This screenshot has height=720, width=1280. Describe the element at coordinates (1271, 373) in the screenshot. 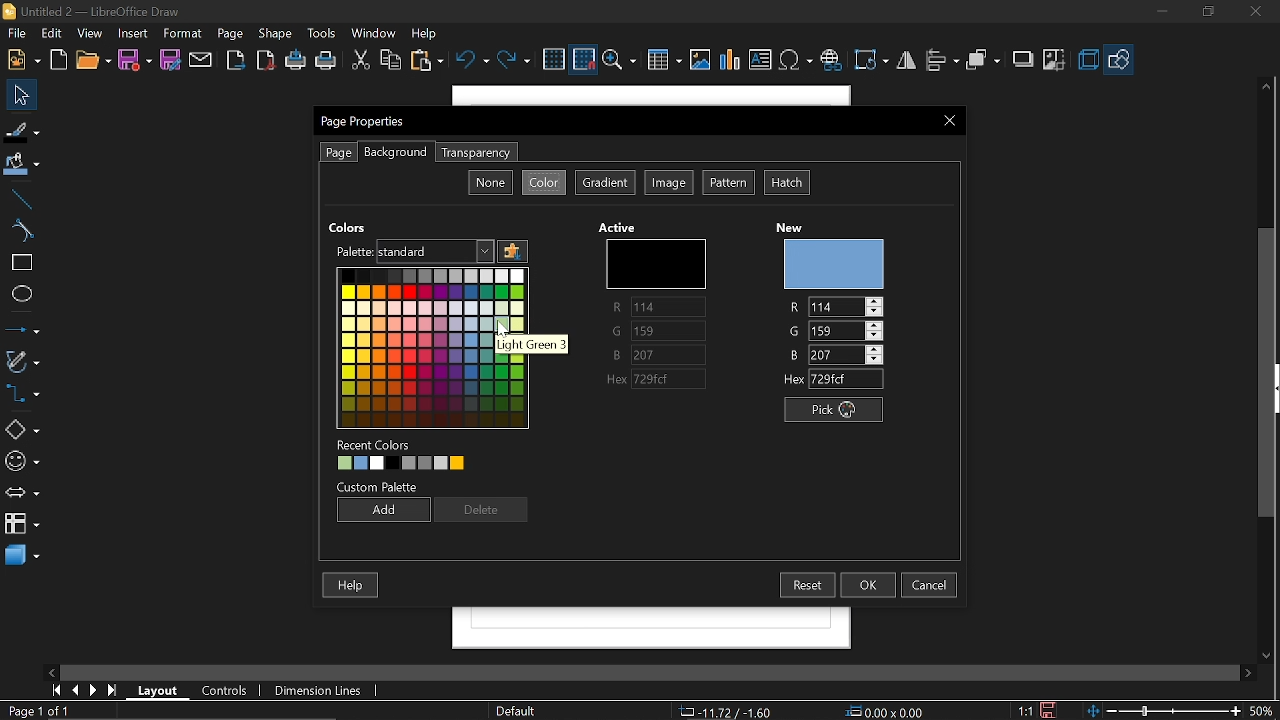

I see `Vertical scrollbar` at that location.